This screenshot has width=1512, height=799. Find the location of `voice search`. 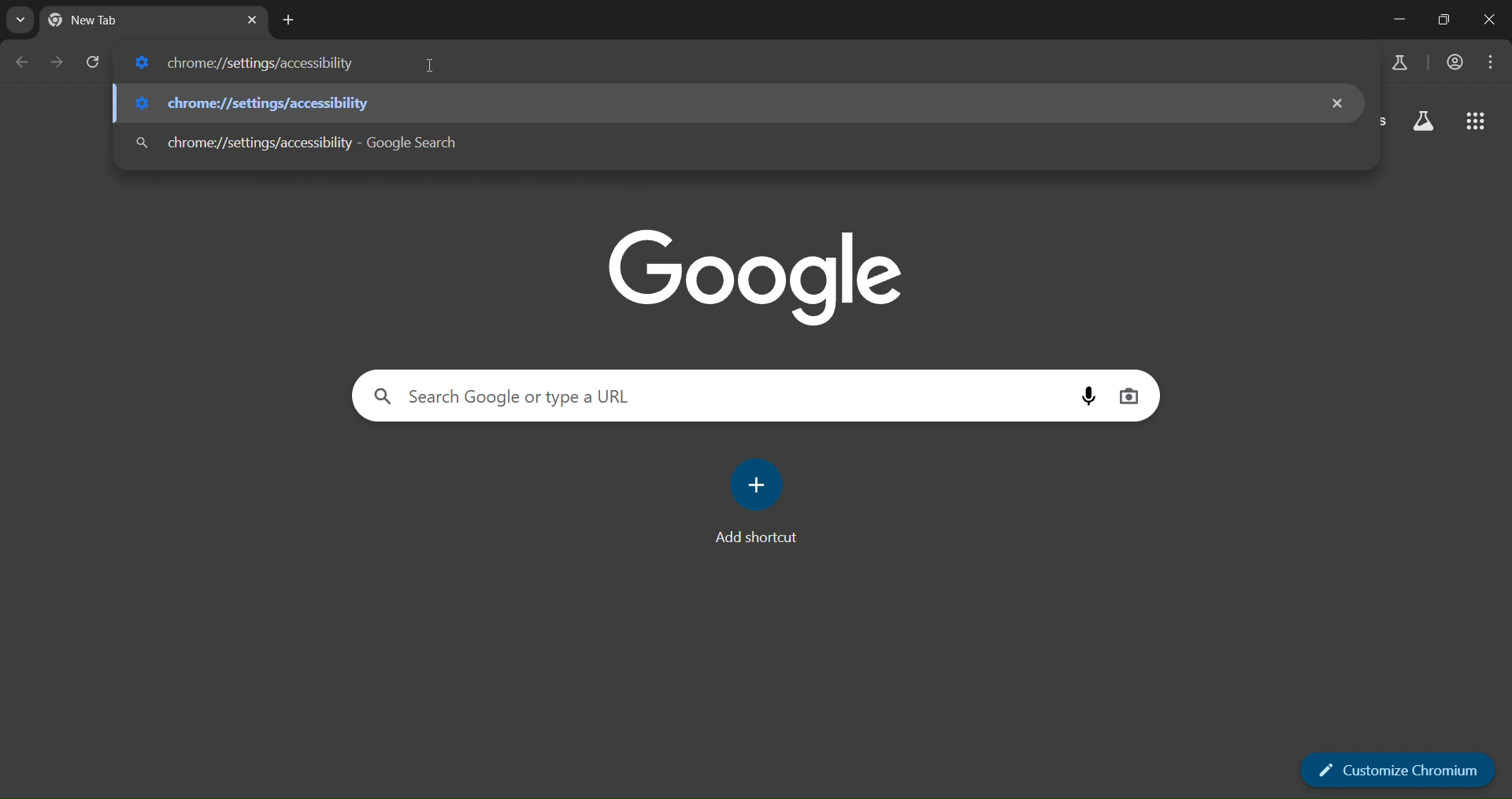

voice search is located at coordinates (1088, 396).